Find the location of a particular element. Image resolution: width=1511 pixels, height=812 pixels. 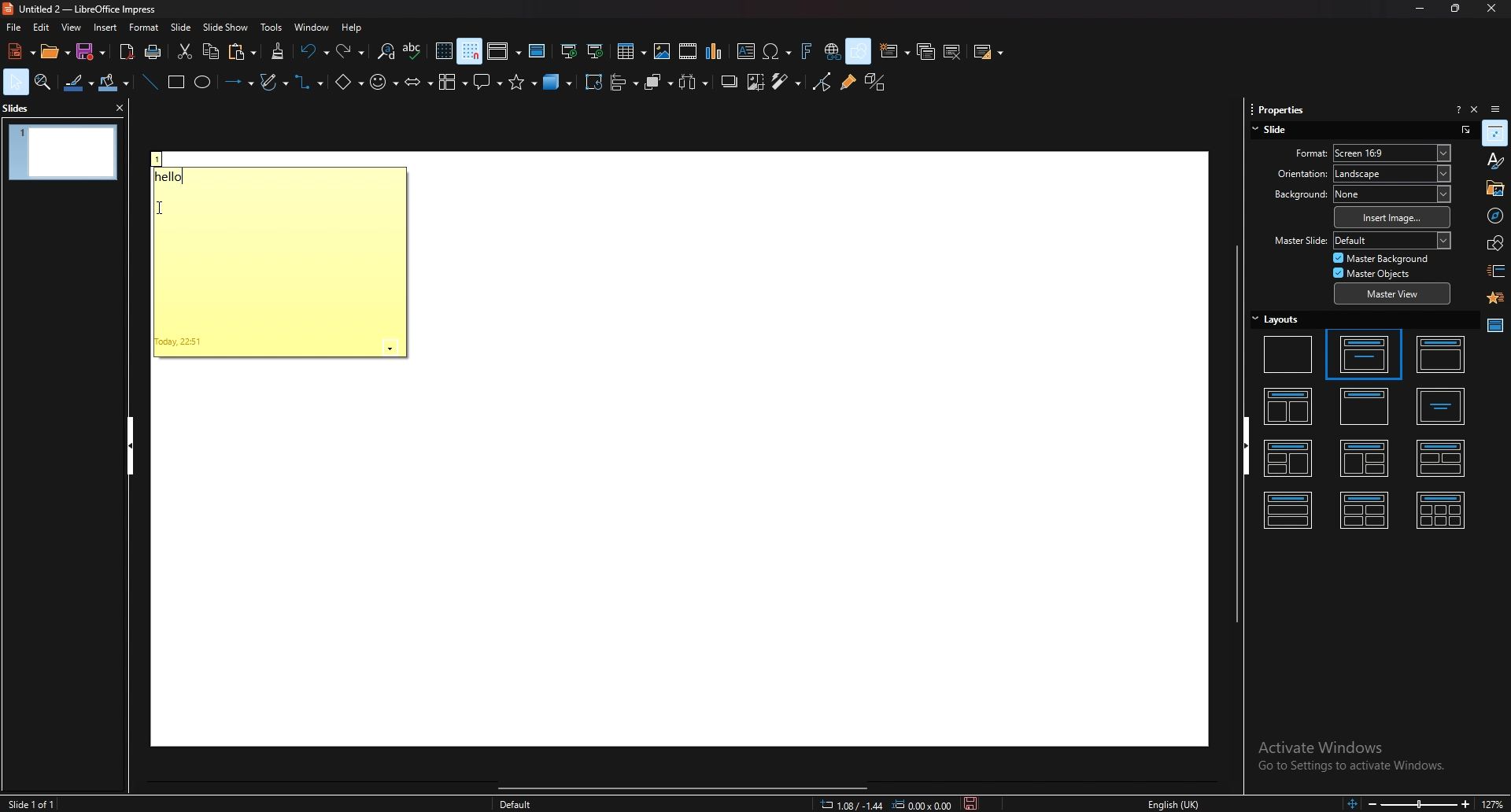

new is located at coordinates (19, 51).